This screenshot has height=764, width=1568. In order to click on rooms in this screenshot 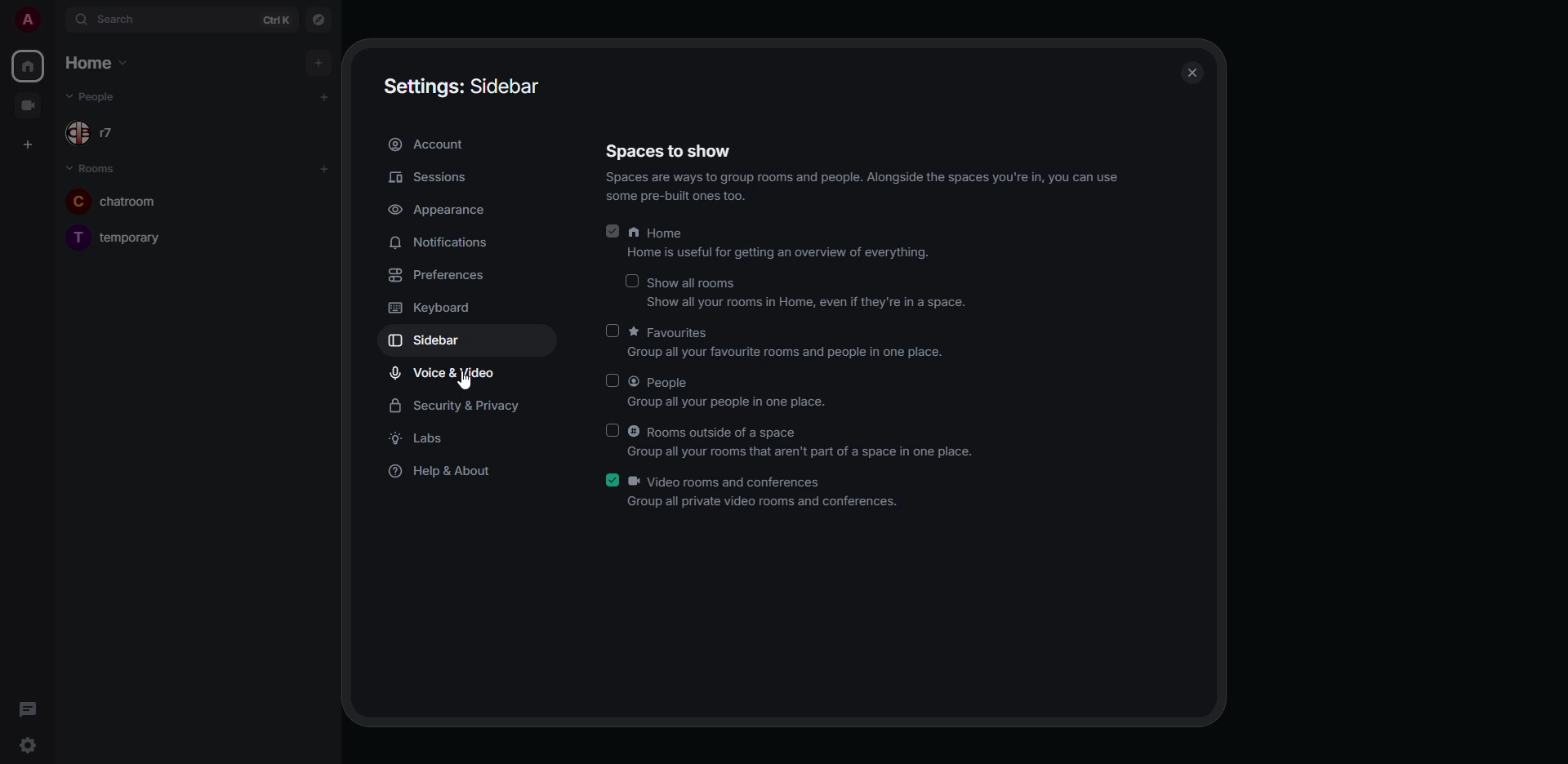, I will do `click(96, 169)`.